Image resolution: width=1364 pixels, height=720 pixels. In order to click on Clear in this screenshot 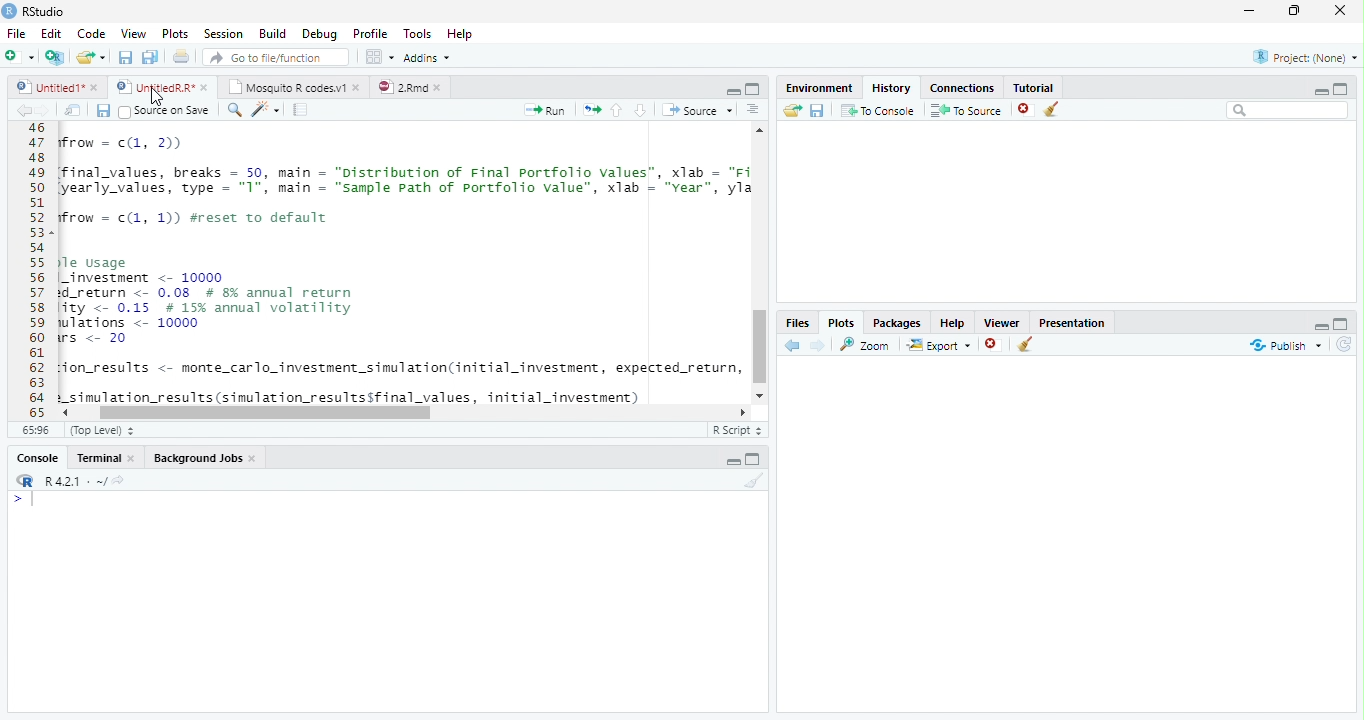, I will do `click(1056, 110)`.